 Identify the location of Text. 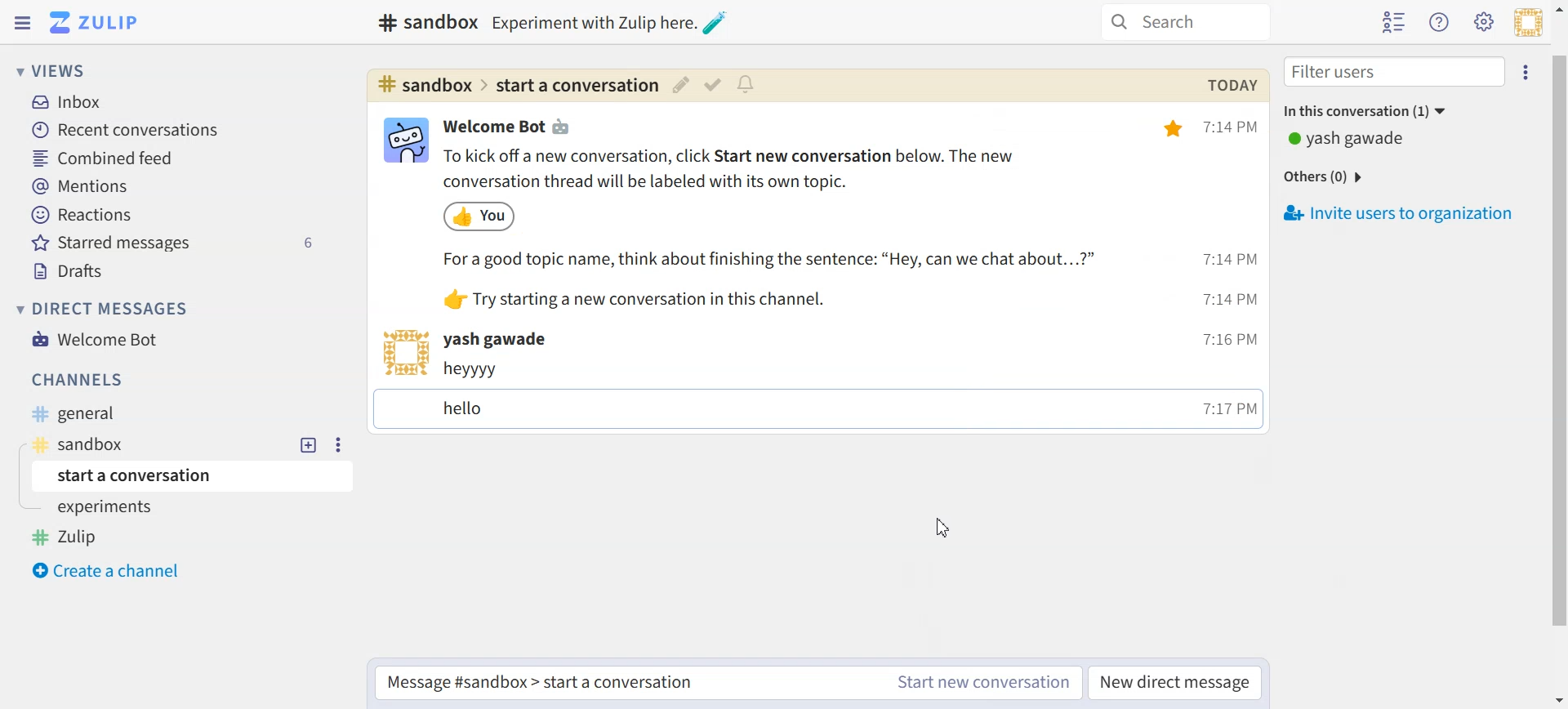
(510, 126).